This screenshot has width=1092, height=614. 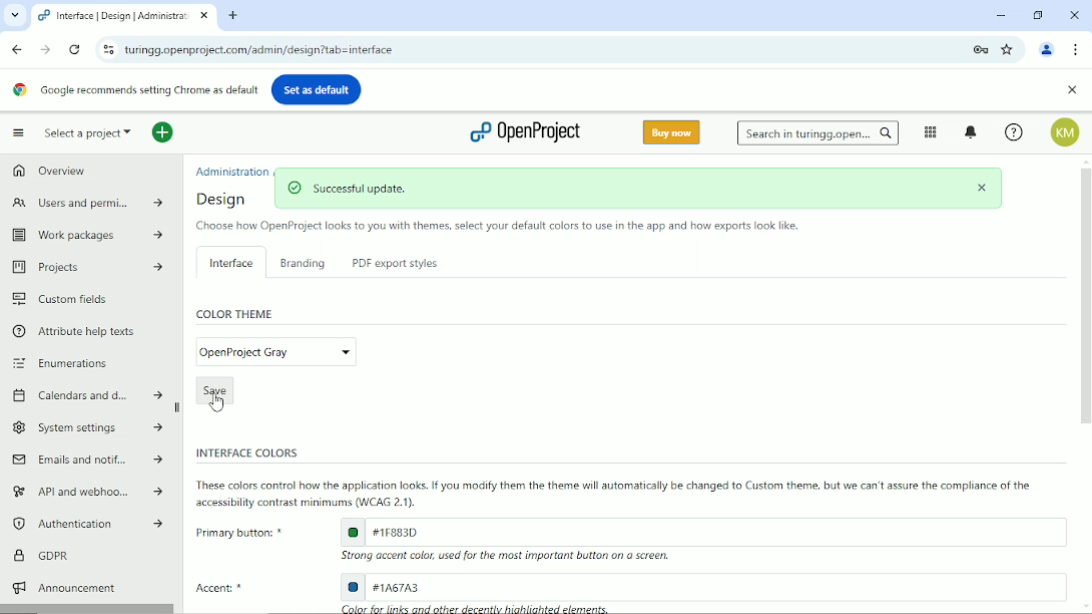 What do you see at coordinates (135, 89) in the screenshot?
I see `Google recommends setting Chrome as default` at bounding box center [135, 89].